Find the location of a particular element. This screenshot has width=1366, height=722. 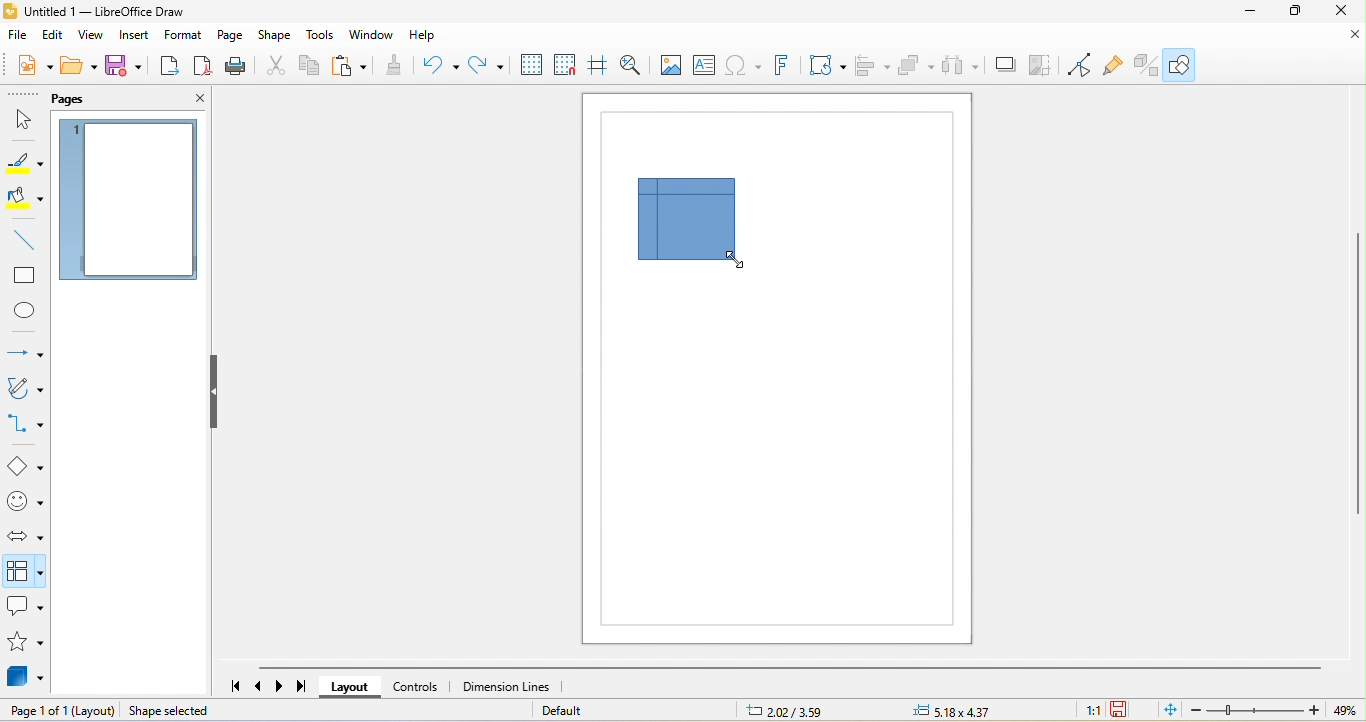

export is located at coordinates (169, 66).